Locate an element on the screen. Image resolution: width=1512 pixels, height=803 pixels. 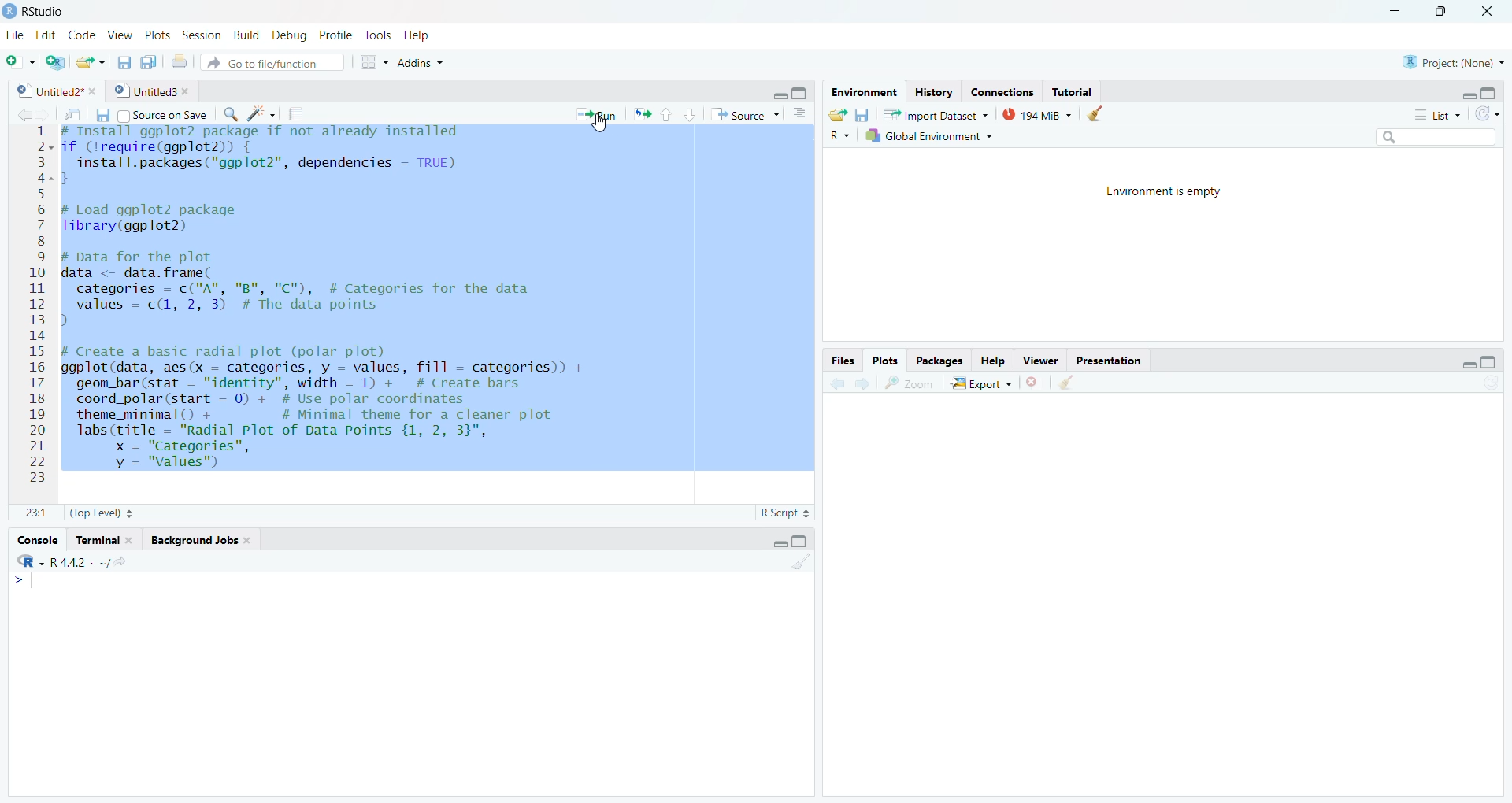
Cursor is located at coordinates (599, 127).